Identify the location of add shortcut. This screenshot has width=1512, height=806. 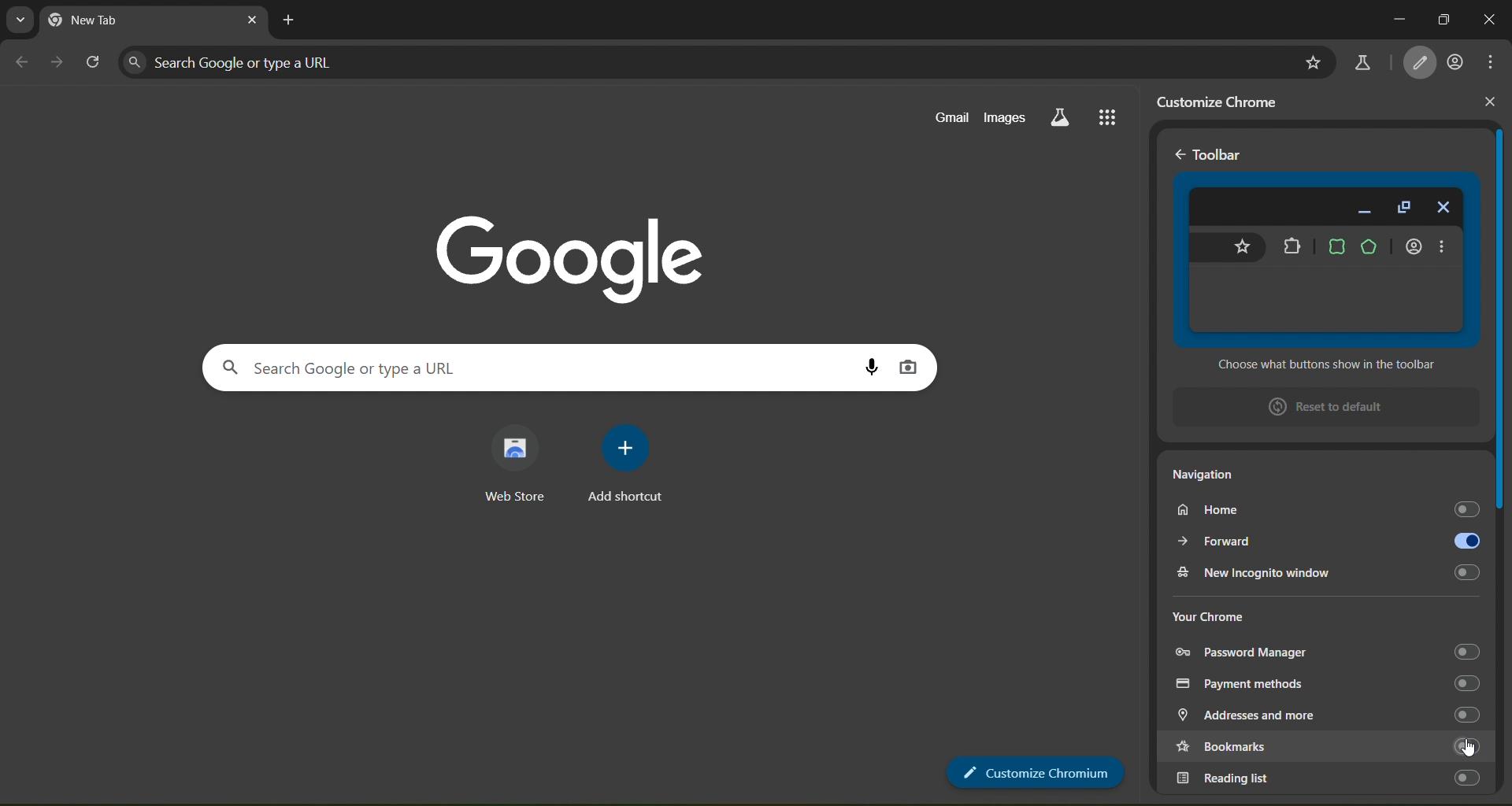
(632, 466).